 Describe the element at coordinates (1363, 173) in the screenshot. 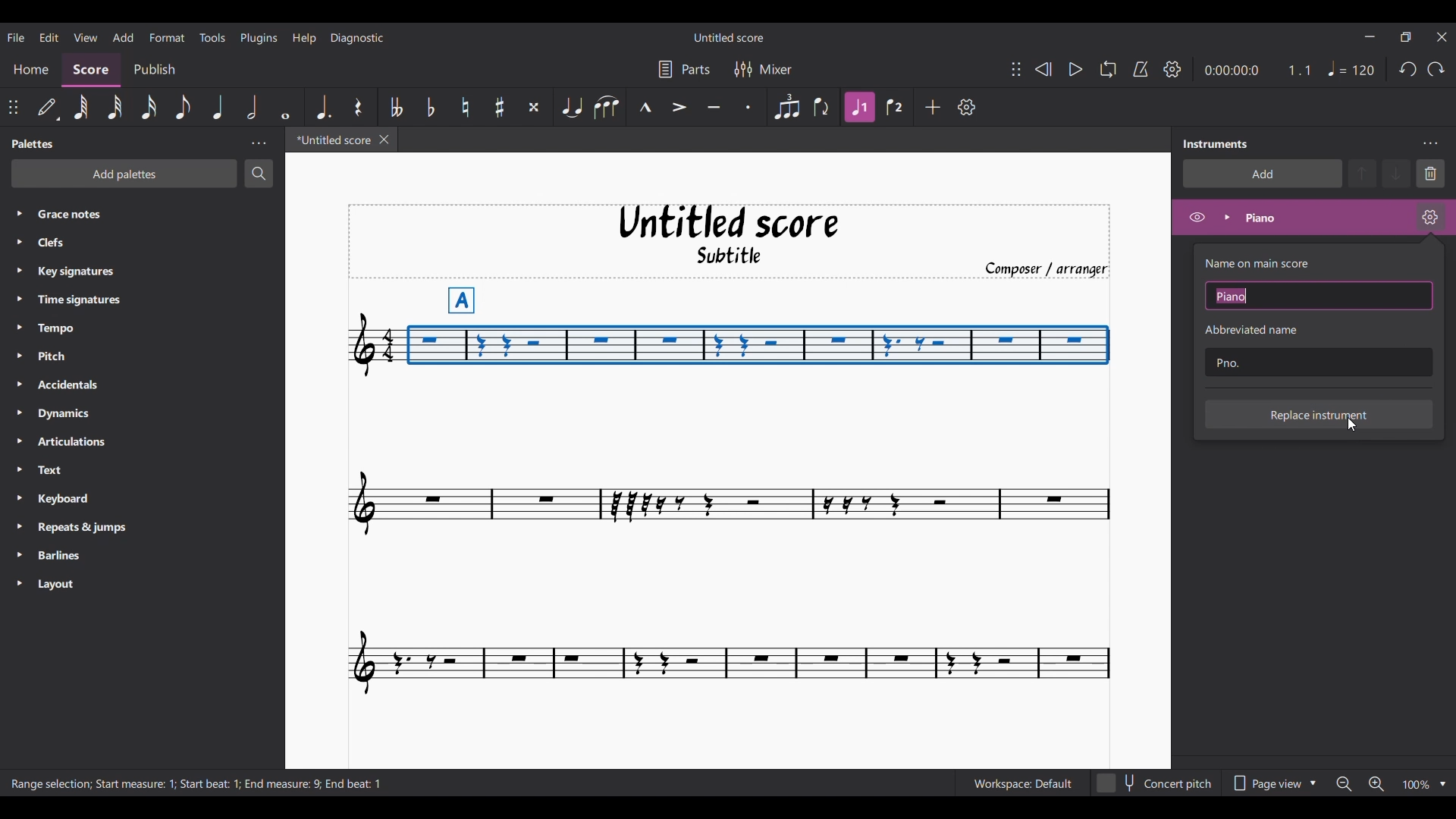

I see `Move instrument up` at that location.